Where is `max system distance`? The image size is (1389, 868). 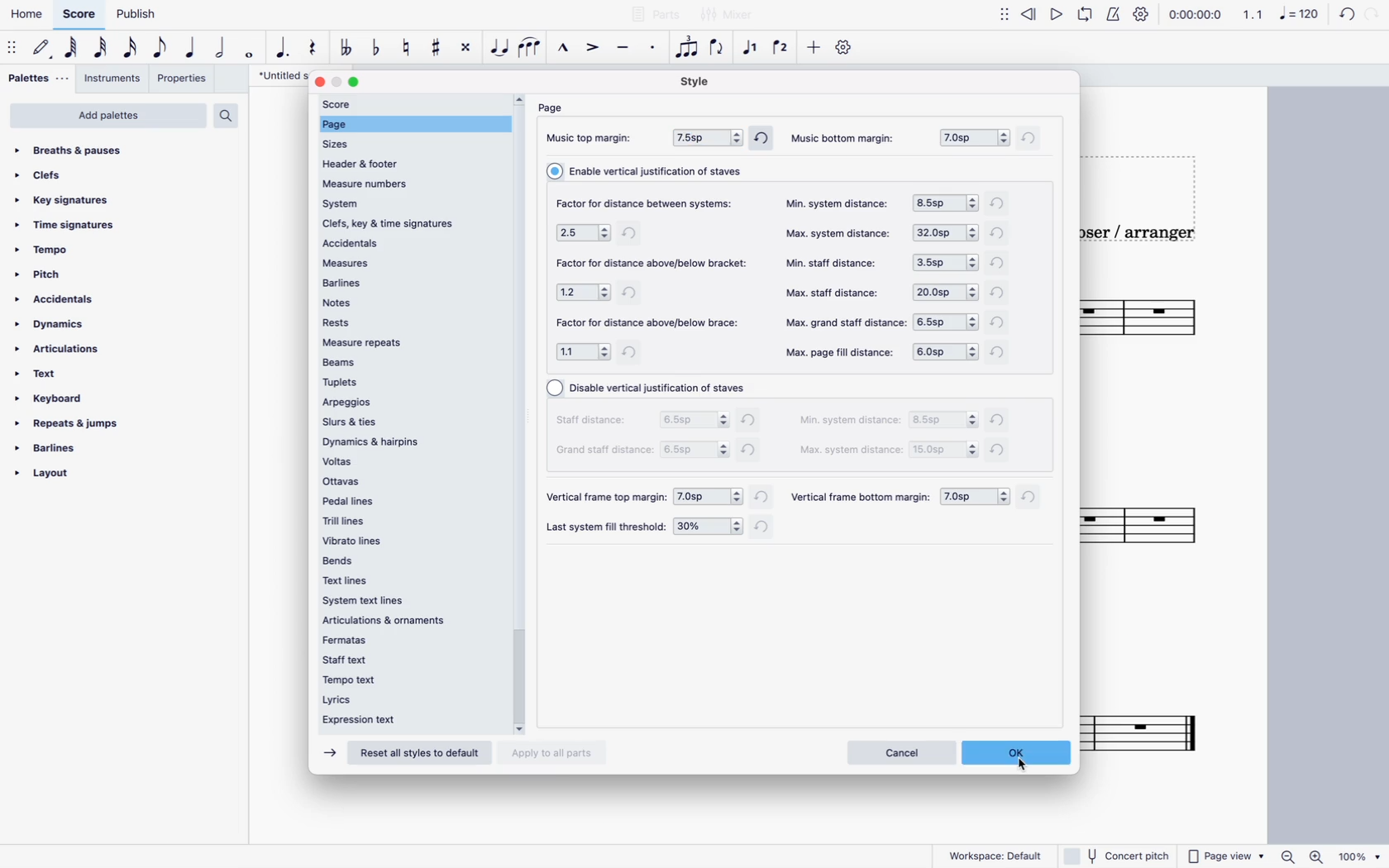
max system distance is located at coordinates (851, 451).